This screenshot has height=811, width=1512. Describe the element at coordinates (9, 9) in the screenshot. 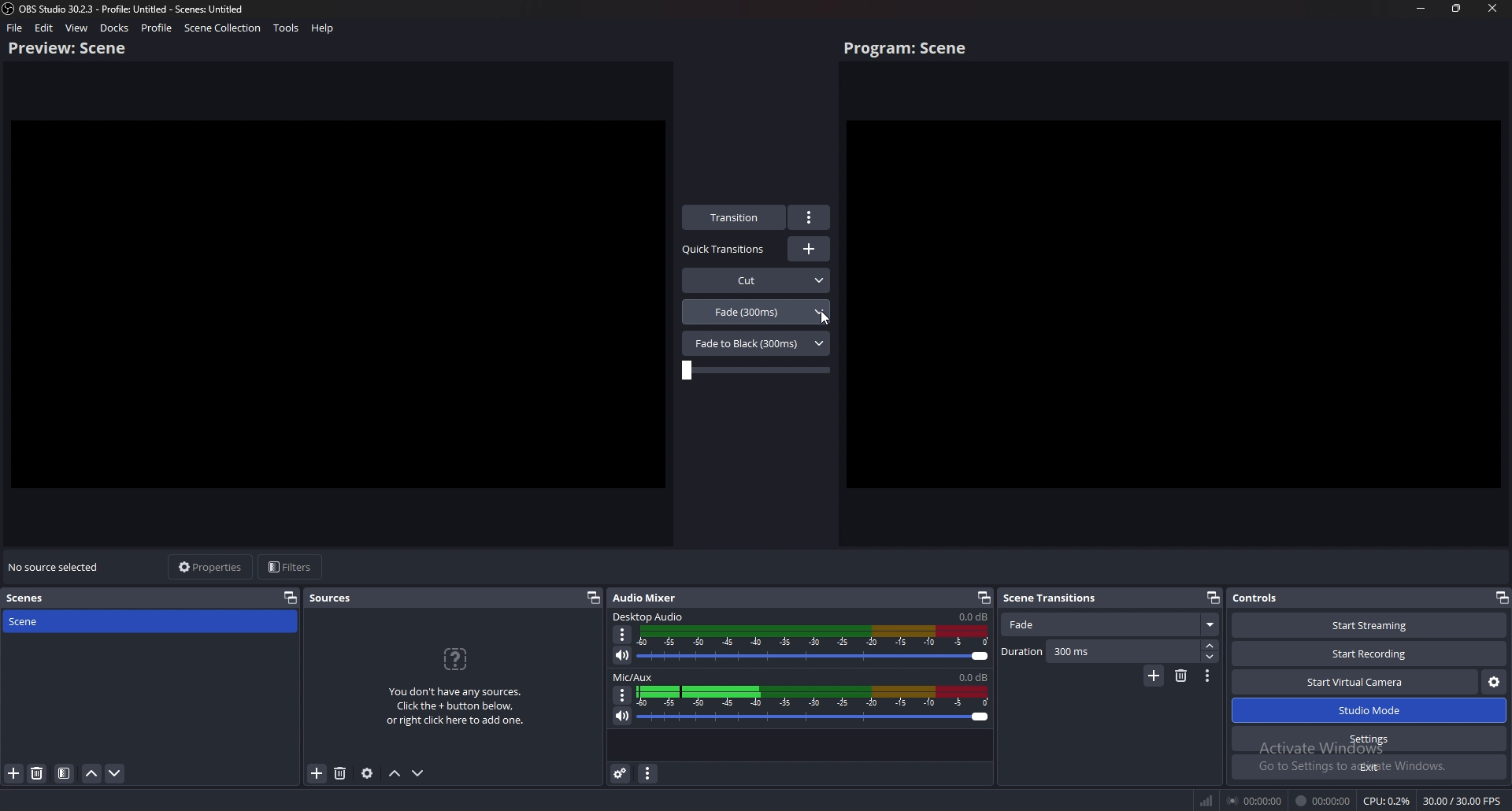

I see `obs studio` at that location.